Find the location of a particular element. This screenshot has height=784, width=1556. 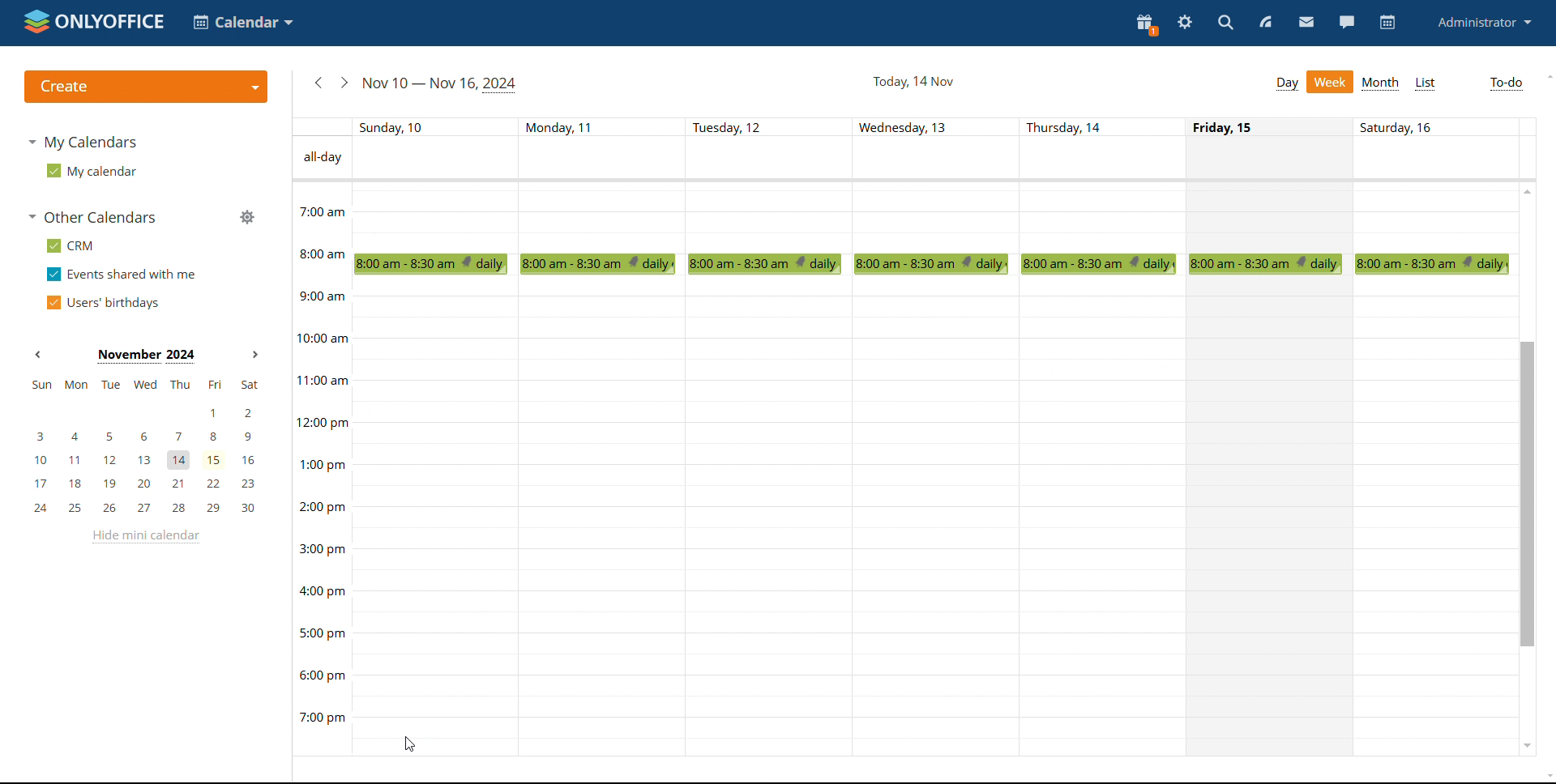

week view is located at coordinates (1332, 82).